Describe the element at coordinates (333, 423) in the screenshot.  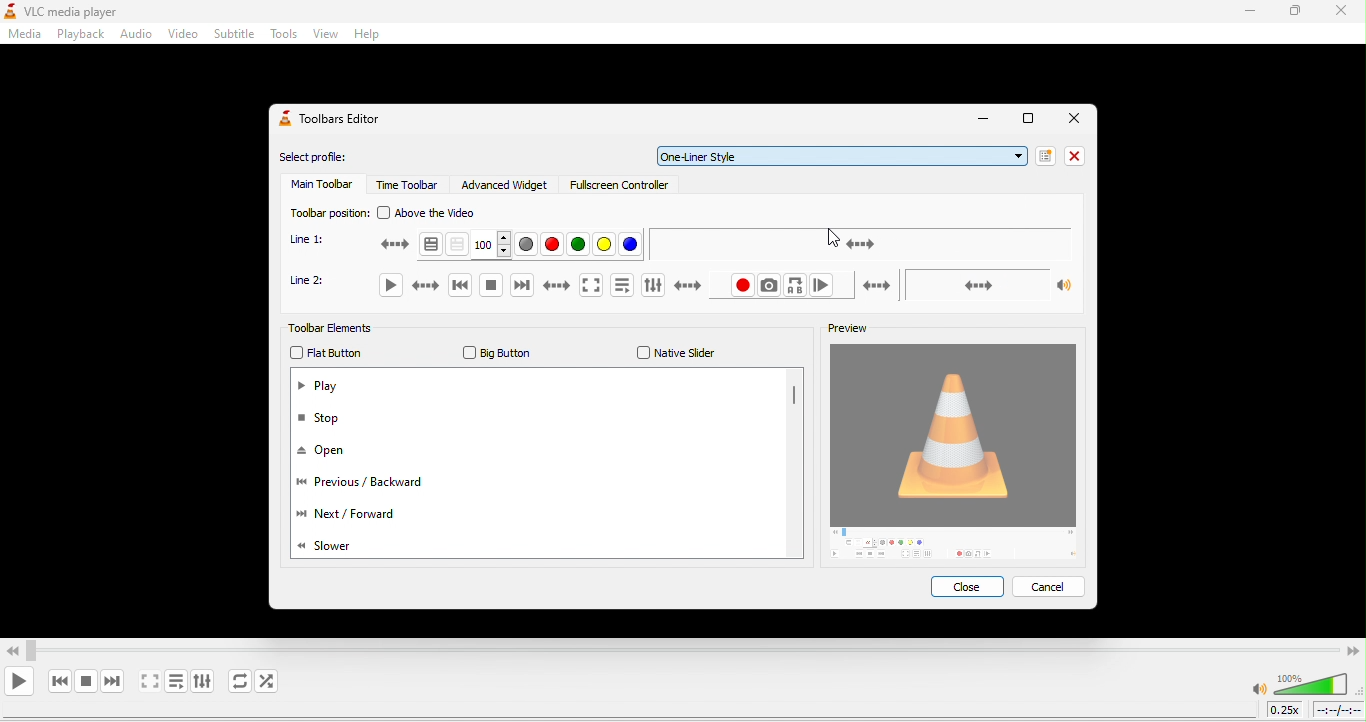
I see `stop` at that location.